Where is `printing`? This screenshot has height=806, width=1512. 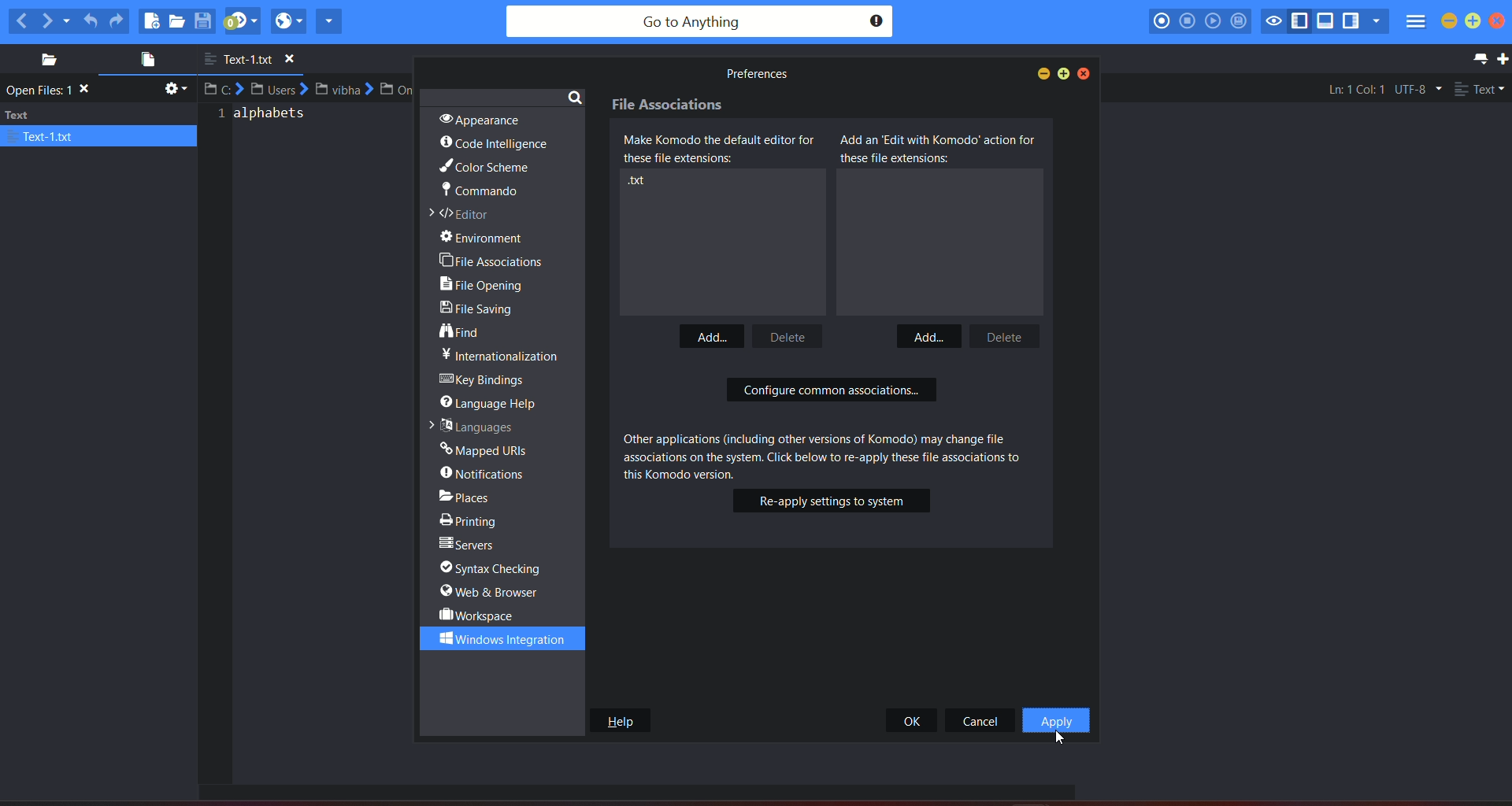
printing is located at coordinates (472, 519).